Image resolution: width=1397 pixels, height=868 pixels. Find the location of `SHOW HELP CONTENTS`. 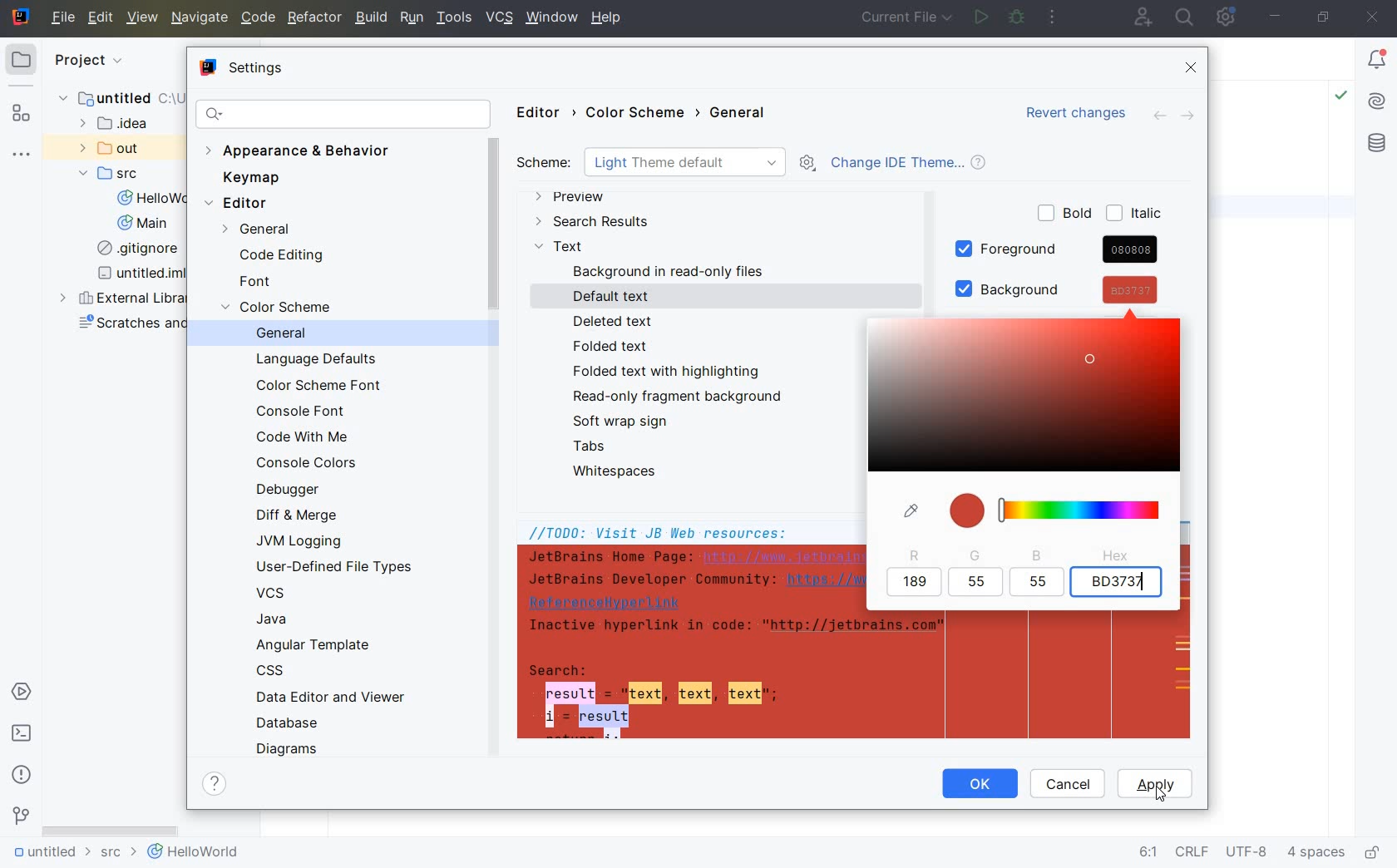

SHOW HELP CONTENTS is located at coordinates (217, 786).